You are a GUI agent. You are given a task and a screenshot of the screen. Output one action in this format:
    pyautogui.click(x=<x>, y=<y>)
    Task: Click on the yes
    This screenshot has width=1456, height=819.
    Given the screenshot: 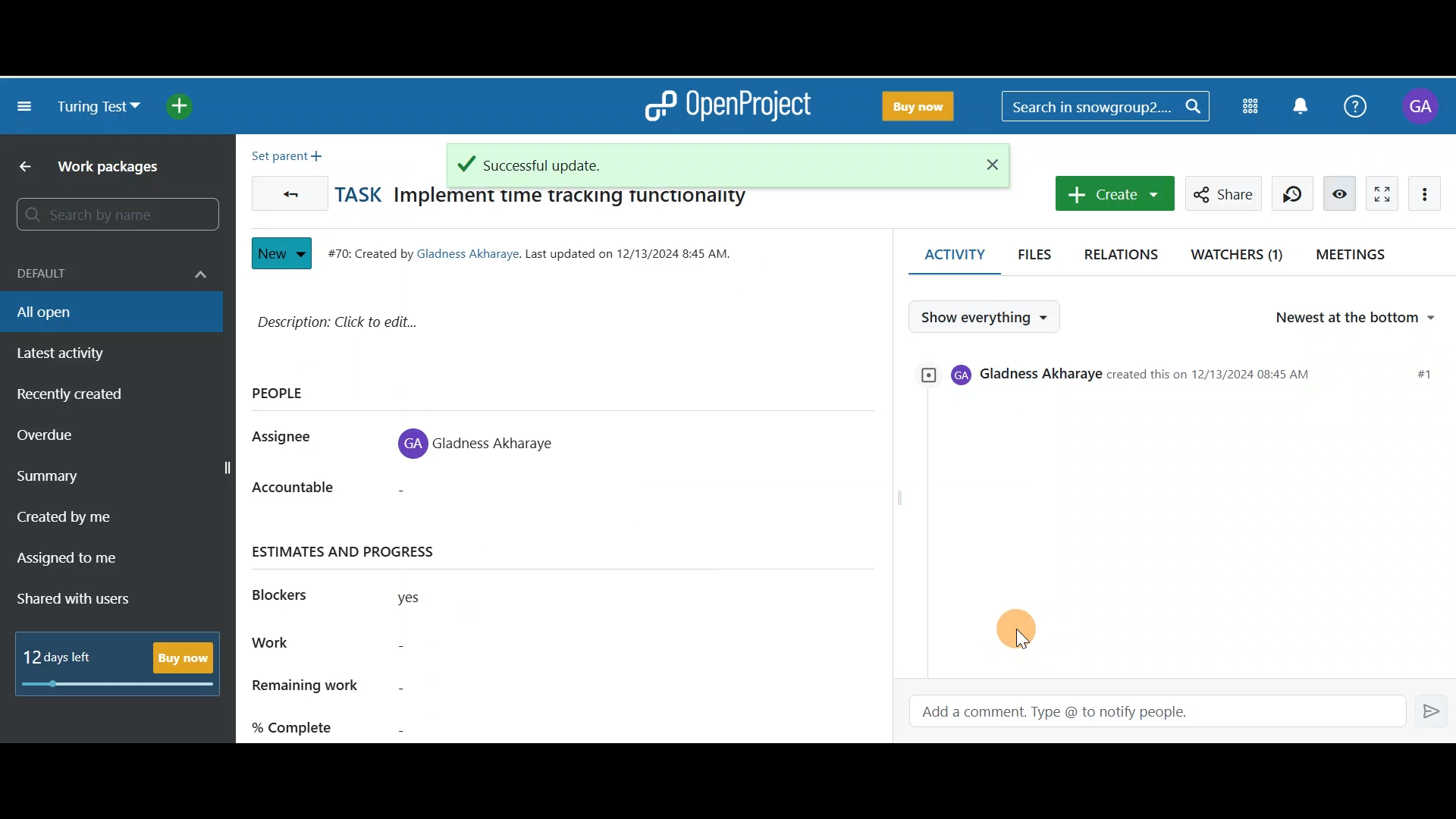 What is the action you would take?
    pyautogui.click(x=428, y=601)
    